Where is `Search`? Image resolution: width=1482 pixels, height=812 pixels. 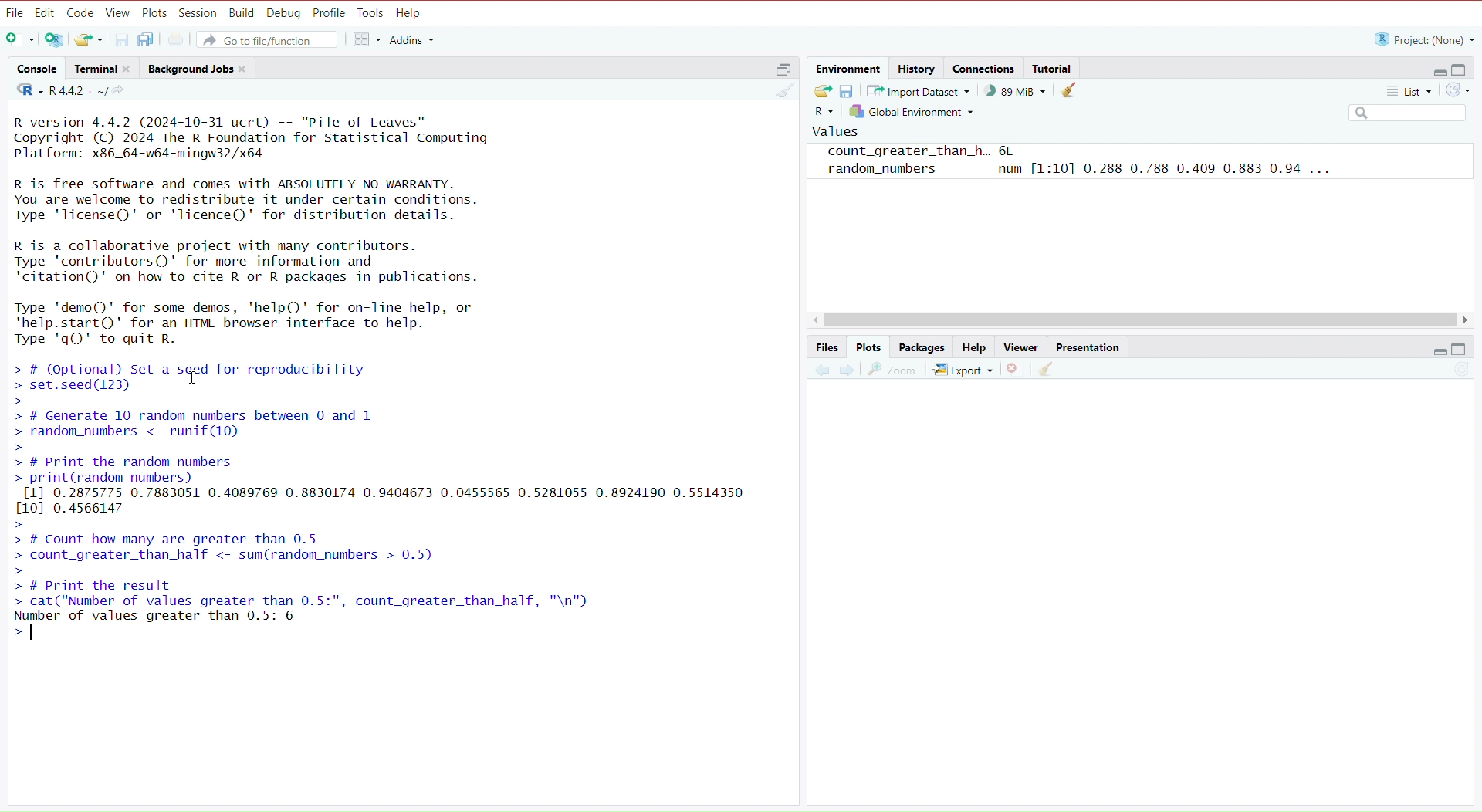
Search is located at coordinates (1405, 112).